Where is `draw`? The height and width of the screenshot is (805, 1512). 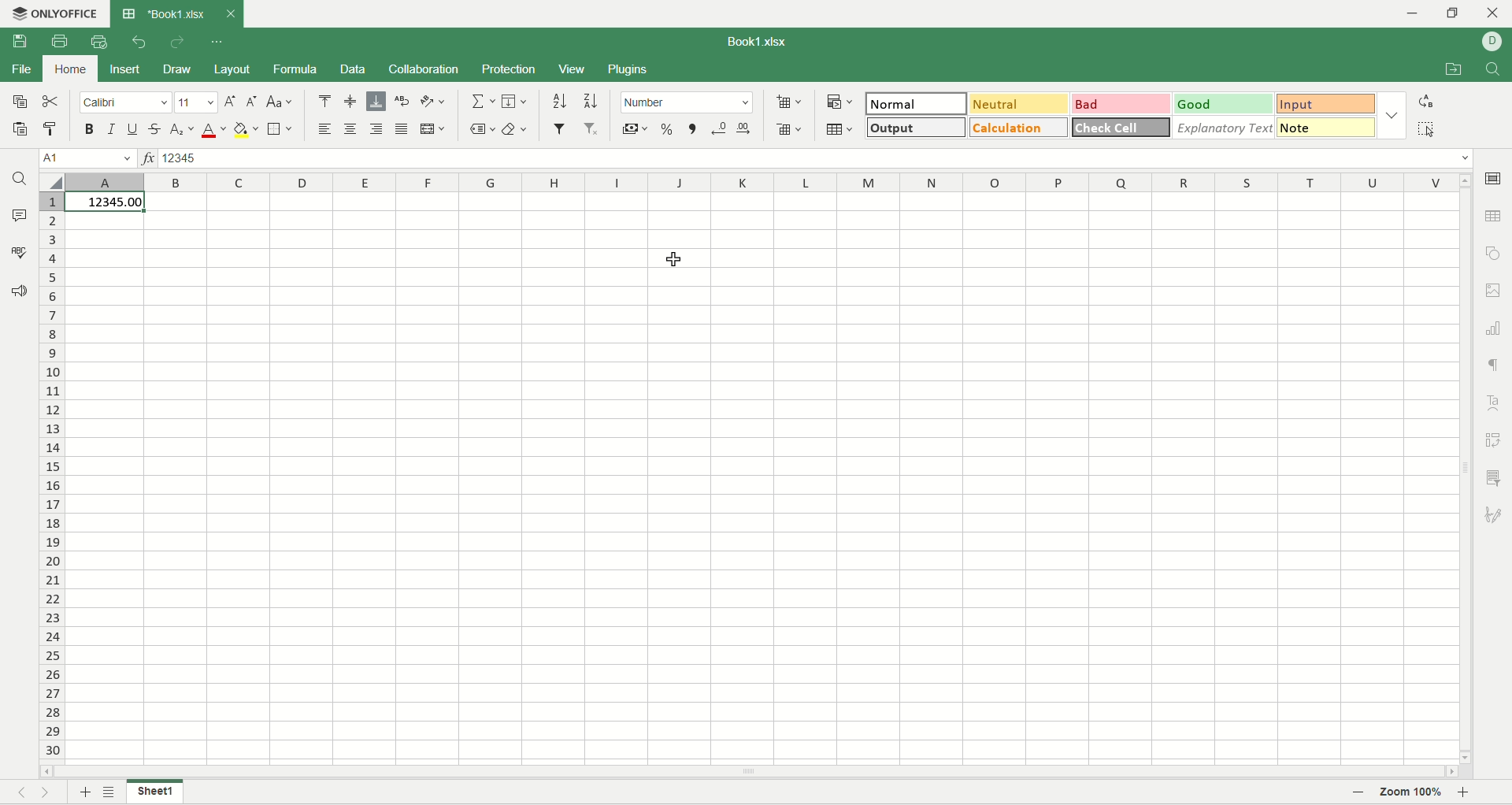 draw is located at coordinates (176, 69).